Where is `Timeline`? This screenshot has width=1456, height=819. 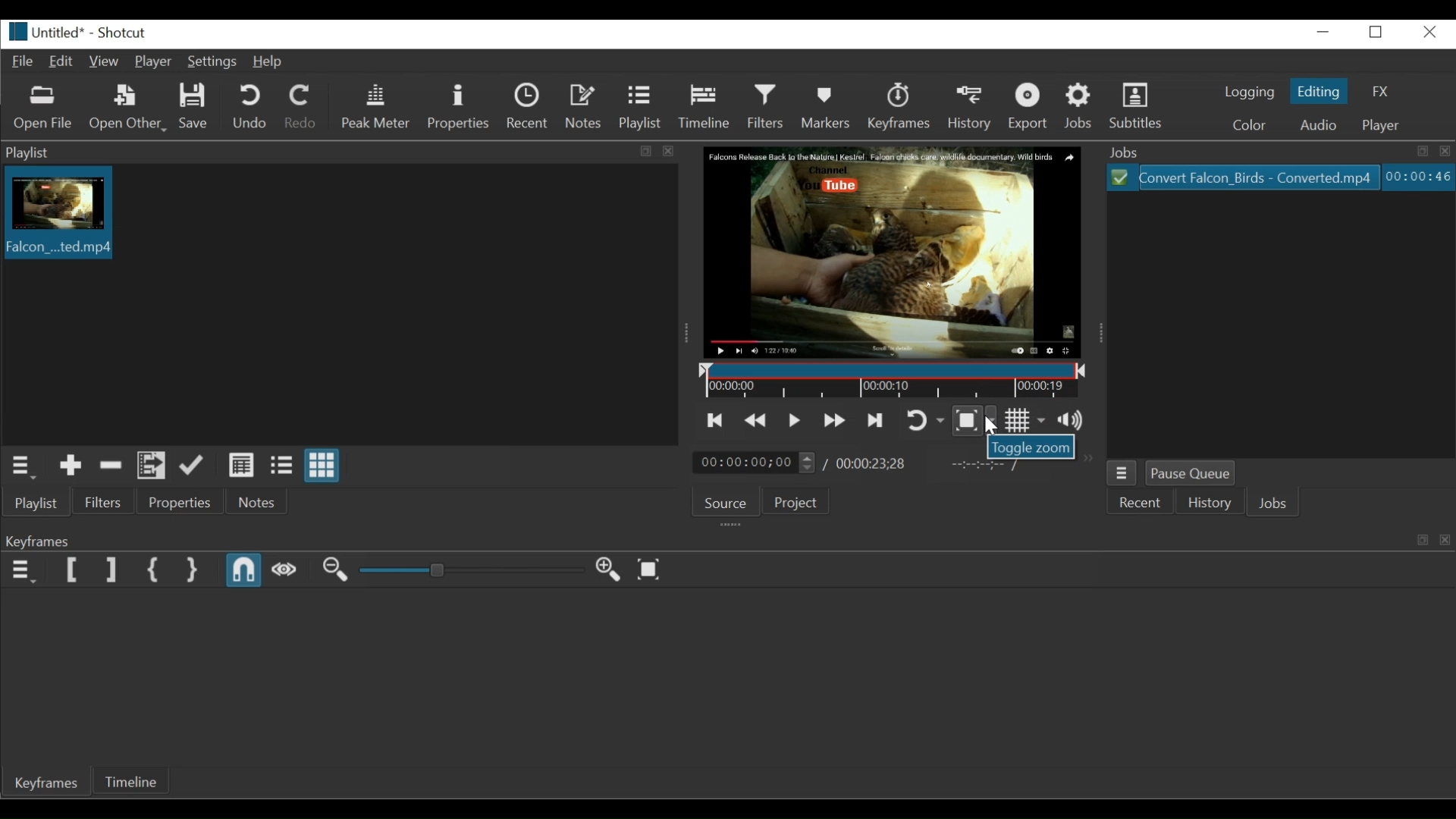
Timeline is located at coordinates (129, 781).